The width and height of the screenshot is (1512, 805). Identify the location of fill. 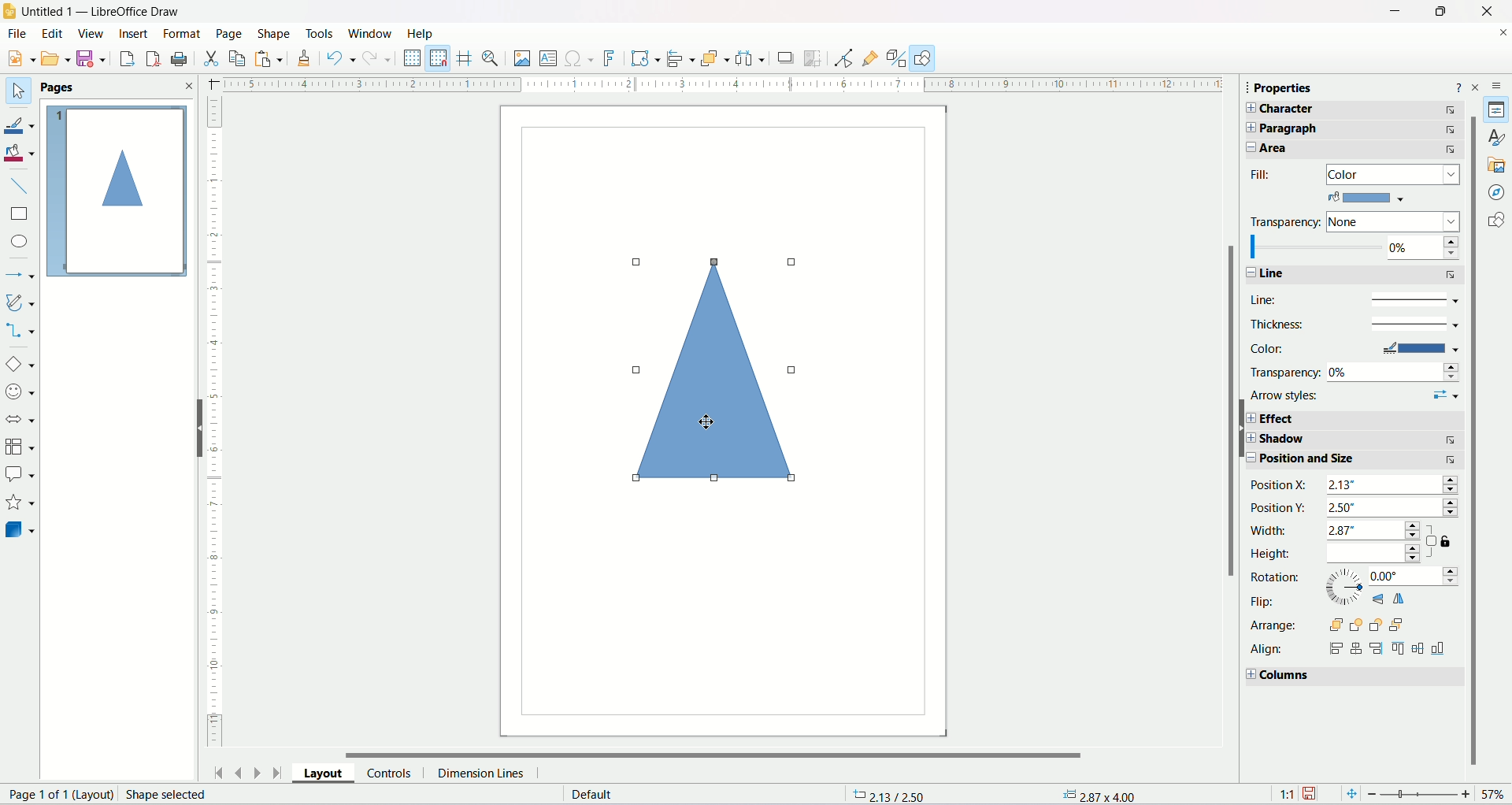
(1349, 174).